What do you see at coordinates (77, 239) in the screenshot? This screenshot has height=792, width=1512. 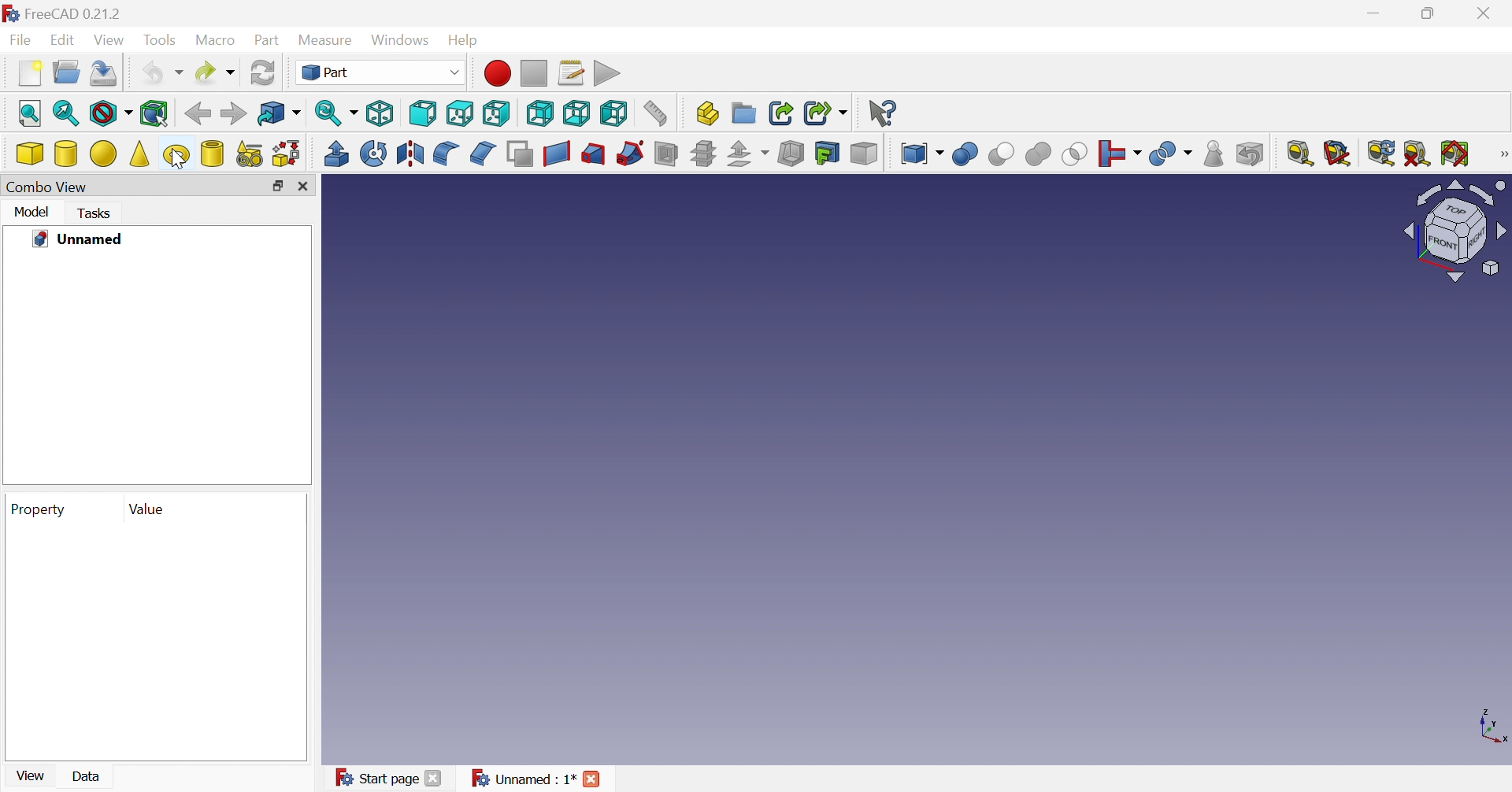 I see `Unnamed` at bounding box center [77, 239].